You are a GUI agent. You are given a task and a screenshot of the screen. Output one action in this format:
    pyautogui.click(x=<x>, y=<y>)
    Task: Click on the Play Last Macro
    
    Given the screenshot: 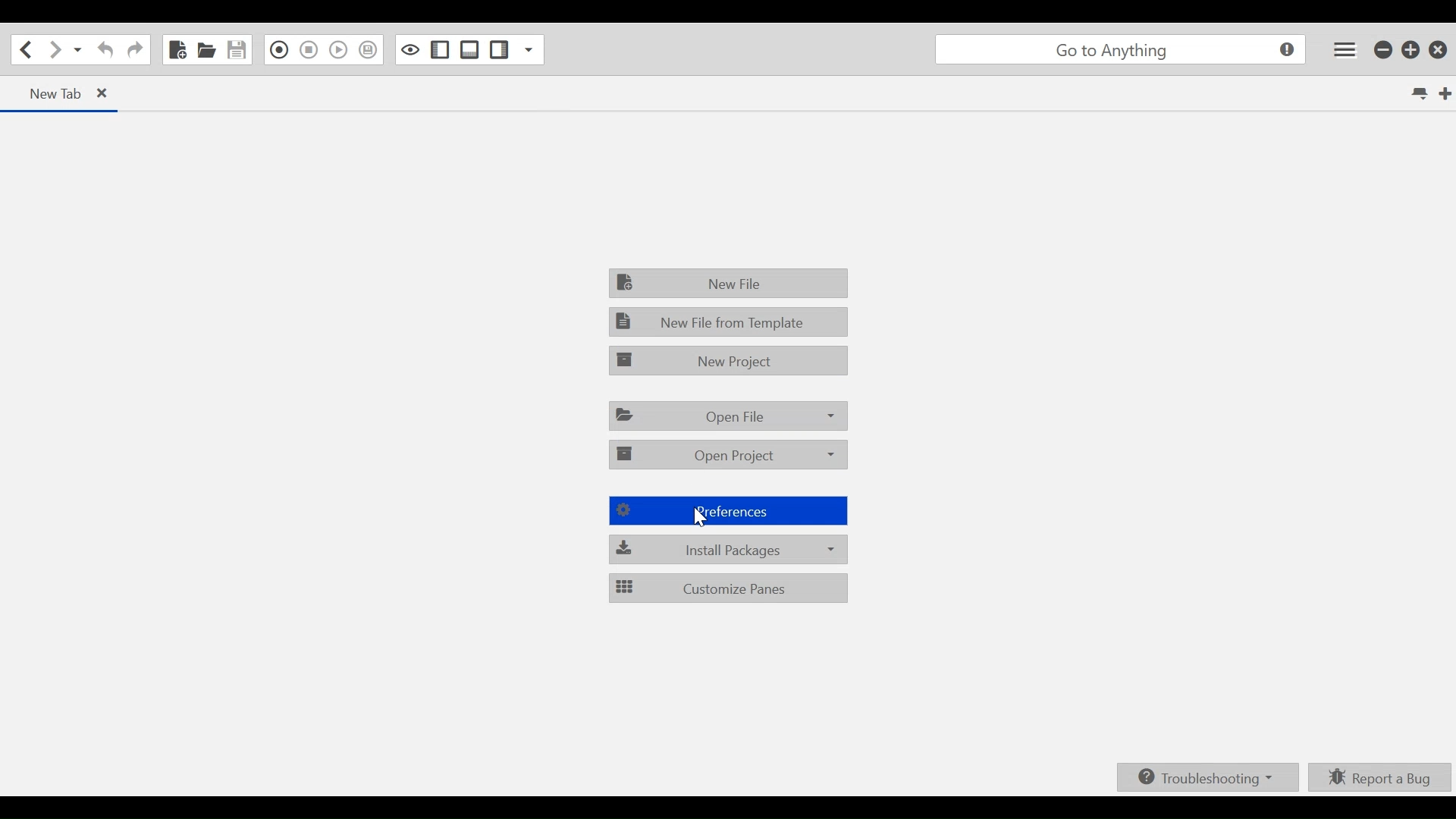 What is the action you would take?
    pyautogui.click(x=338, y=50)
    